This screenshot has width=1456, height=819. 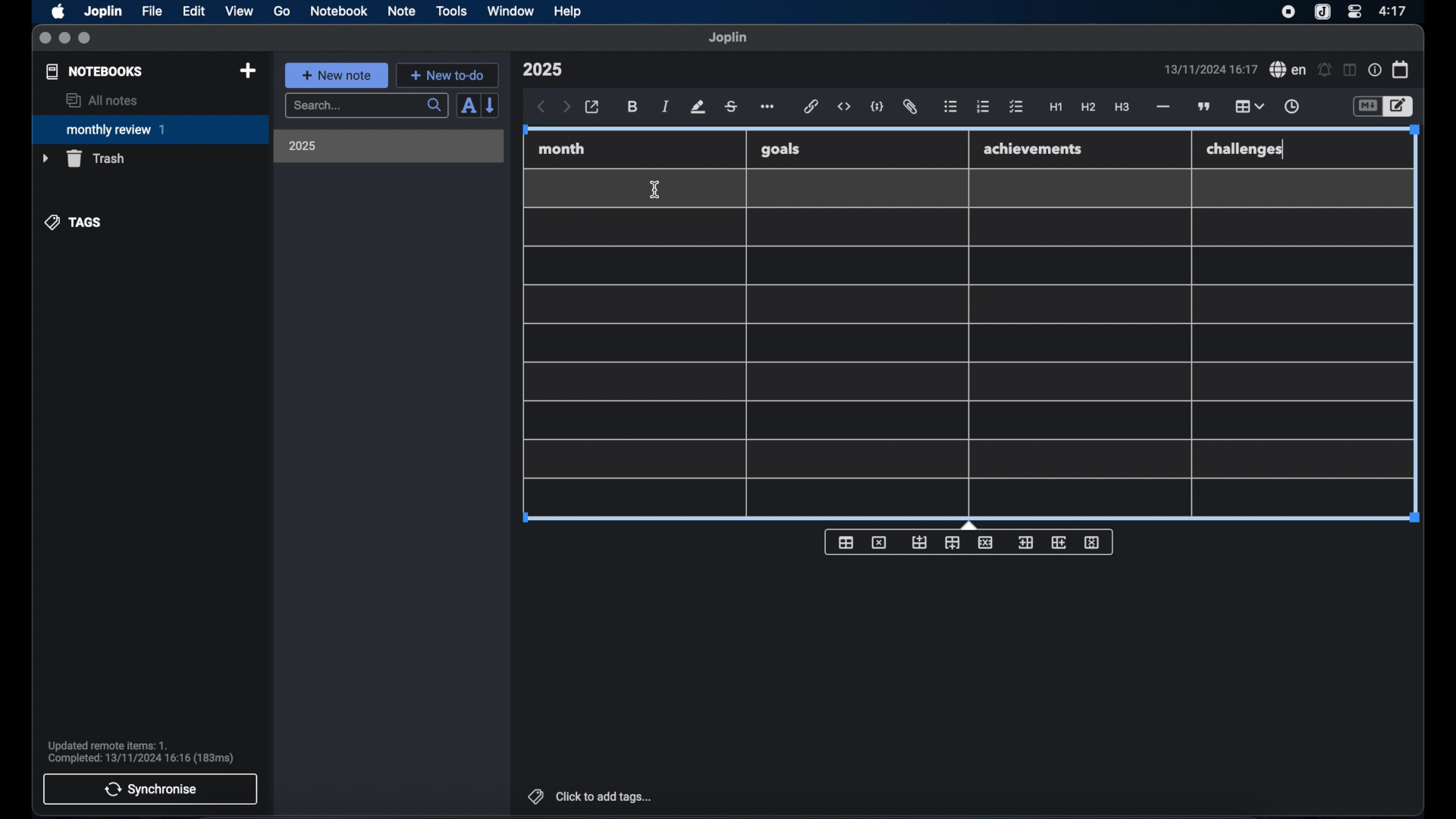 What do you see at coordinates (1210, 69) in the screenshot?
I see `date` at bounding box center [1210, 69].